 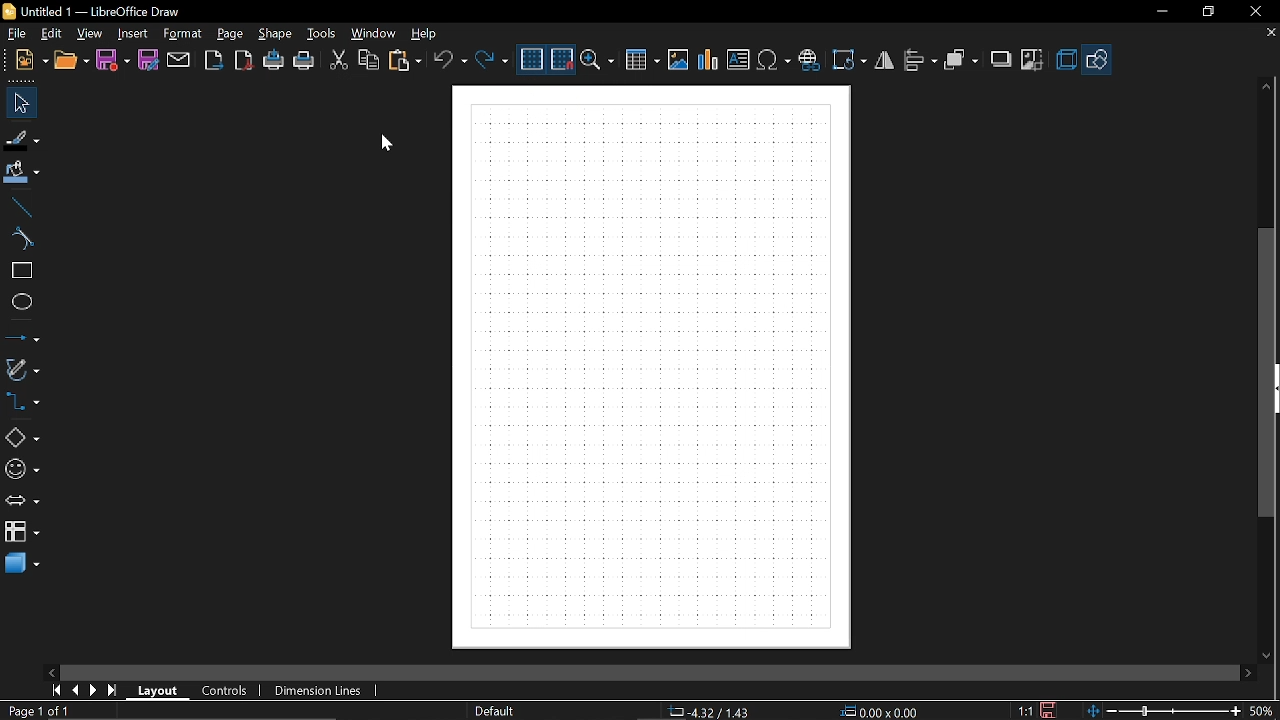 What do you see at coordinates (739, 60) in the screenshot?
I see `text` at bounding box center [739, 60].